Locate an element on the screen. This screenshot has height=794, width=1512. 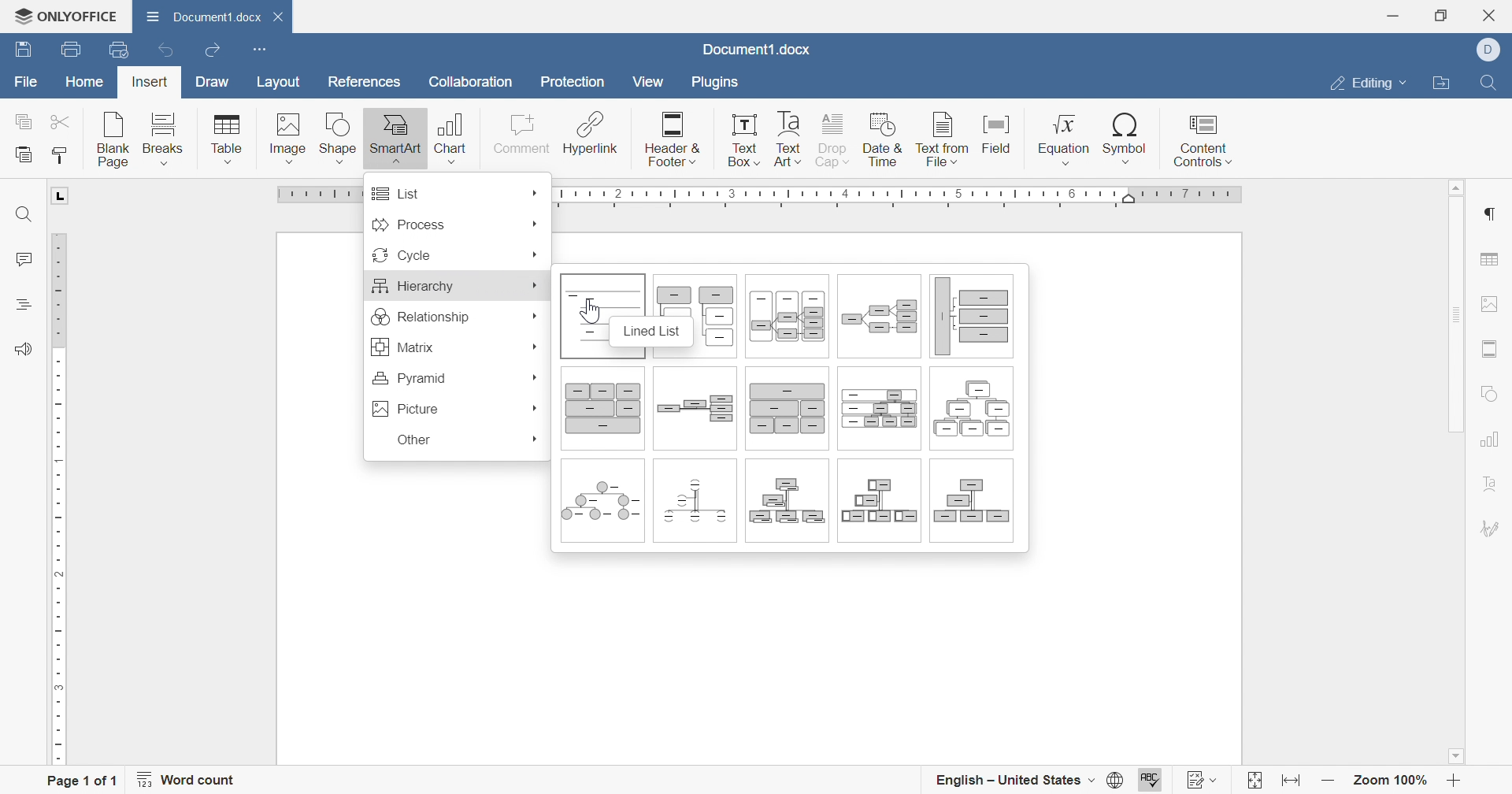
Text art is located at coordinates (788, 141).